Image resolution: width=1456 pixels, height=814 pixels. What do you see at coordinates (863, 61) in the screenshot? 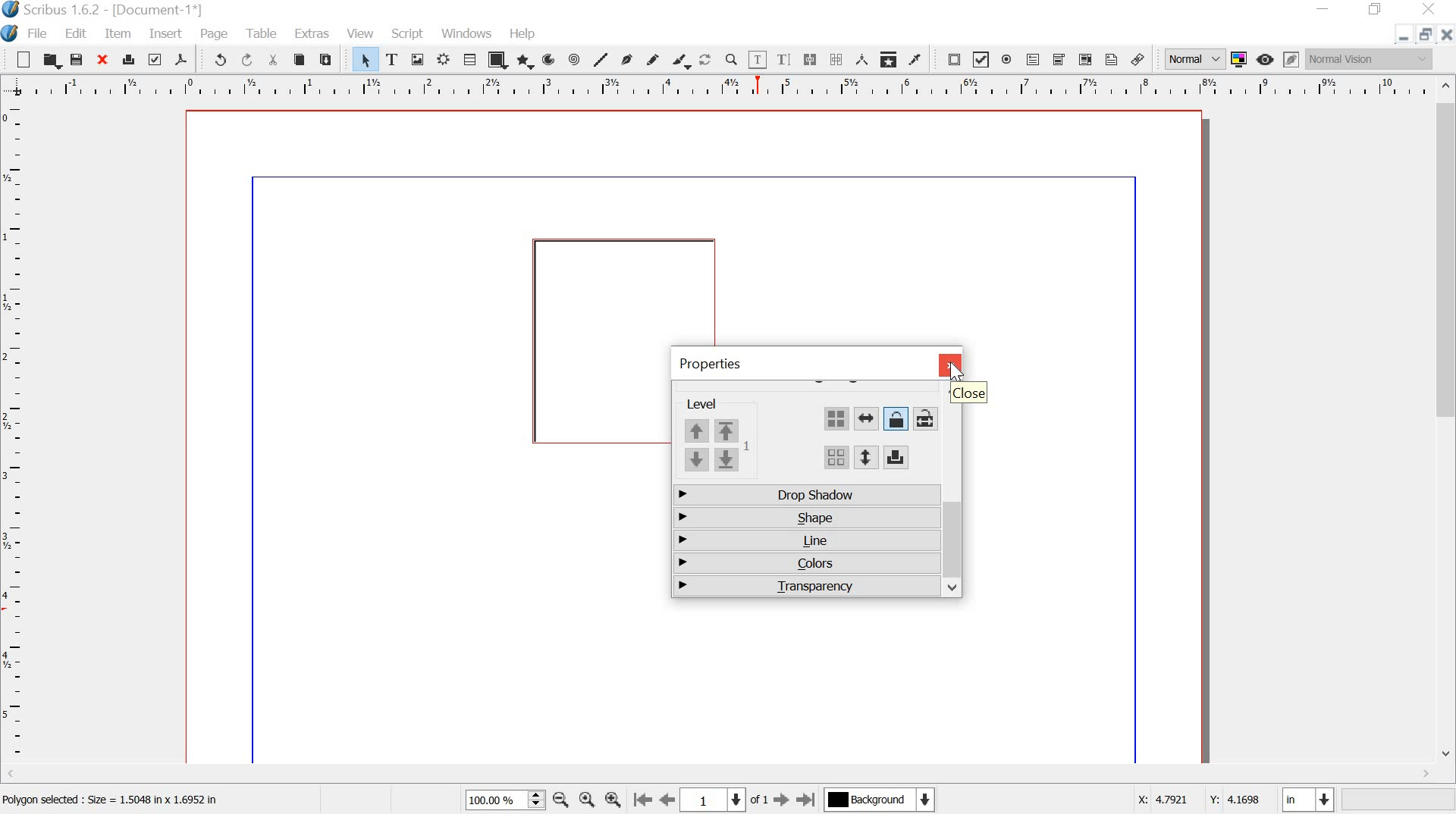
I see `measurements` at bounding box center [863, 61].